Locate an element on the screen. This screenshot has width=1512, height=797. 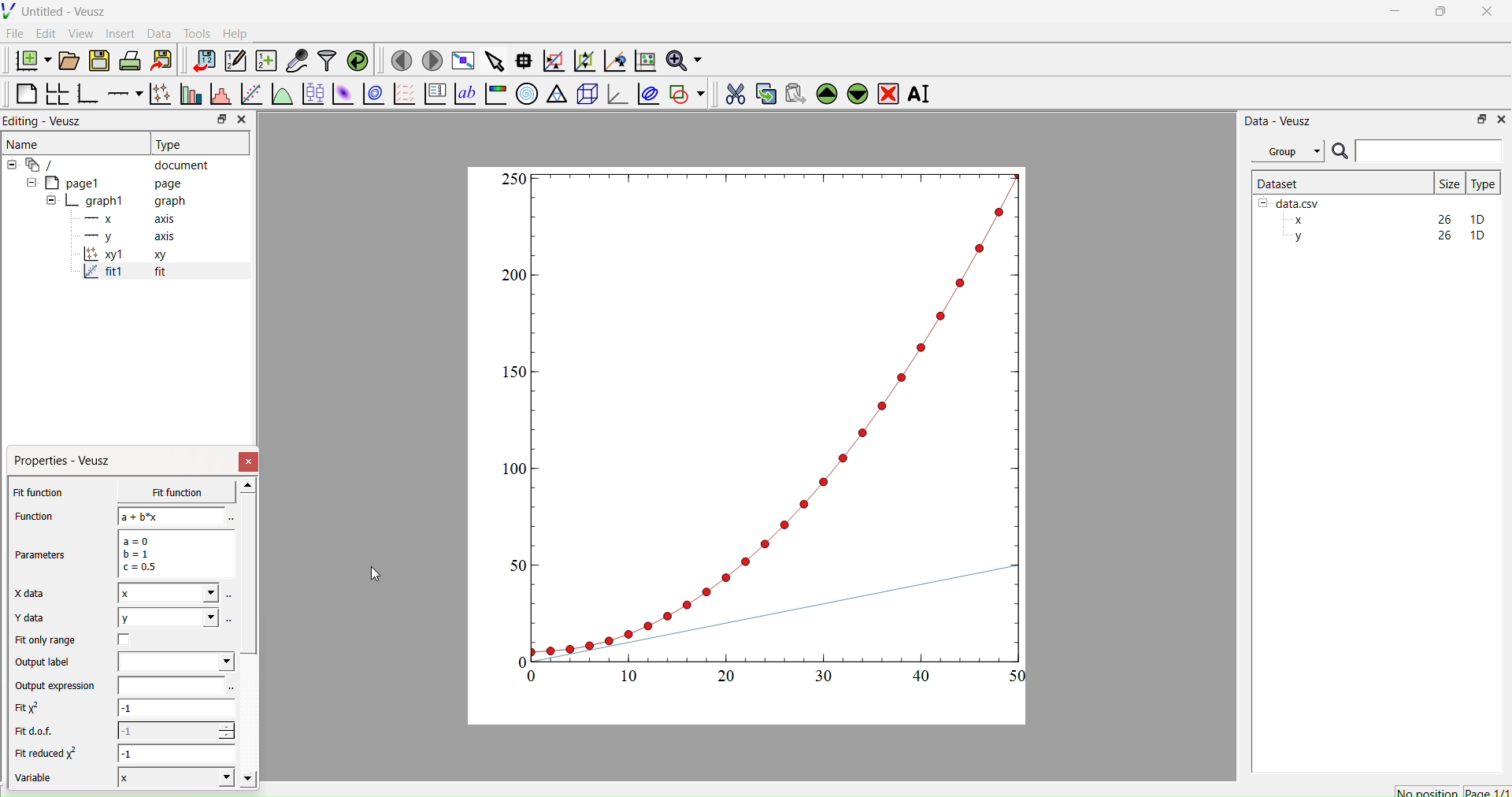
Fit reduced x^2 is located at coordinates (49, 753).